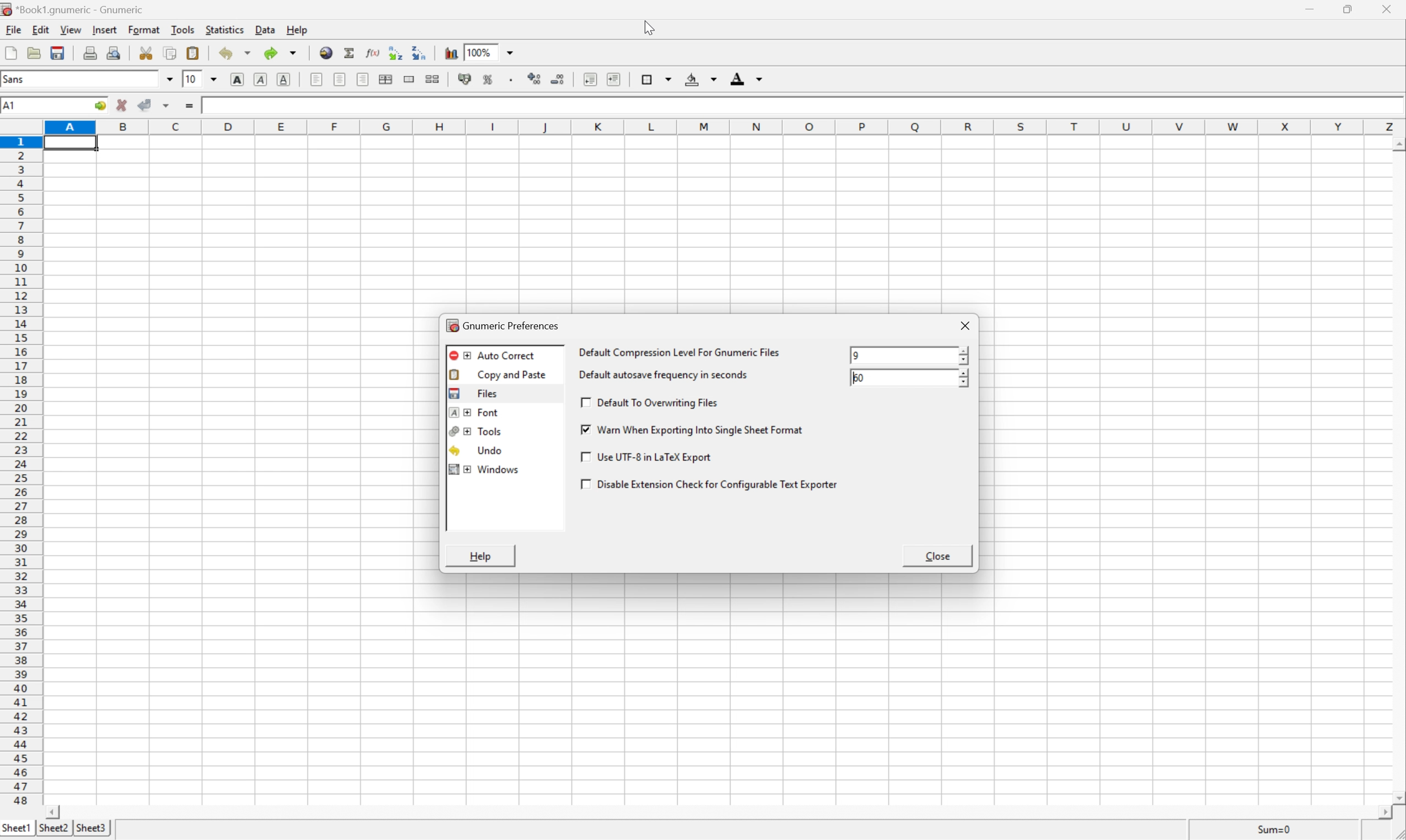  Describe the element at coordinates (490, 52) in the screenshot. I see `100%` at that location.